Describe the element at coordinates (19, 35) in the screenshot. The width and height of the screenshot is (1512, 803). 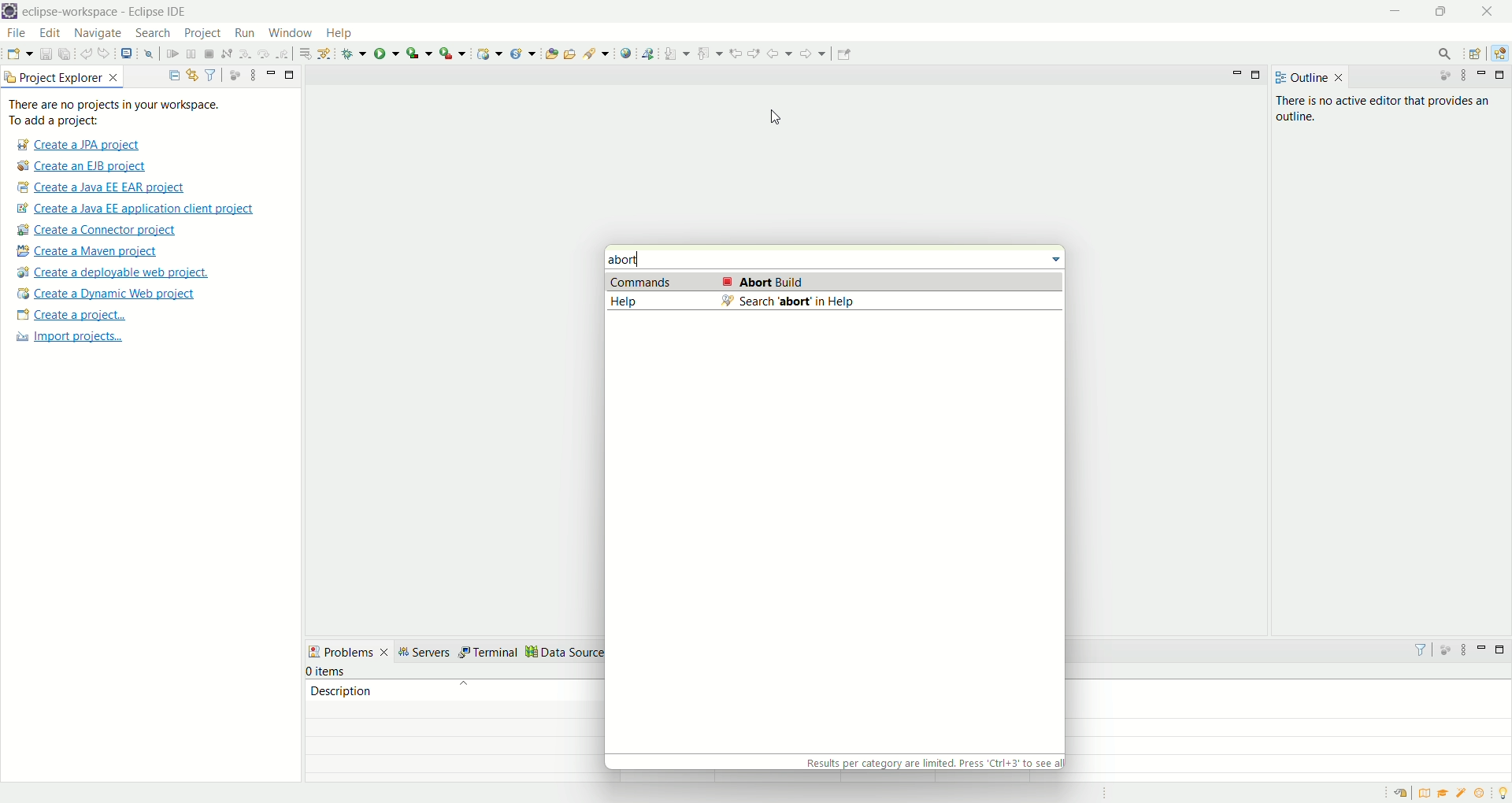
I see `file` at that location.